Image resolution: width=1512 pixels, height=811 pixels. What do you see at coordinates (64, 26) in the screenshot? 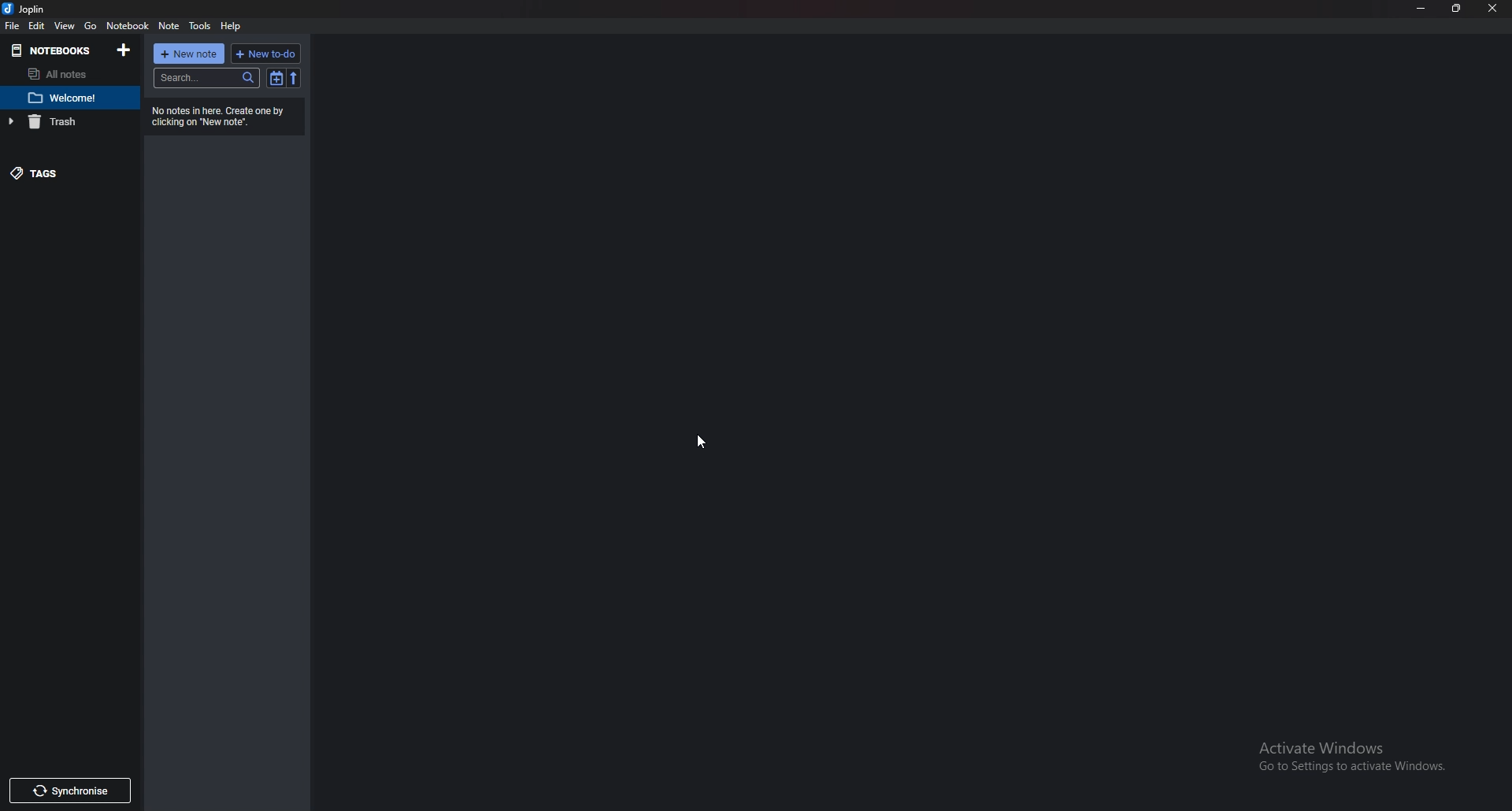
I see `view` at bounding box center [64, 26].